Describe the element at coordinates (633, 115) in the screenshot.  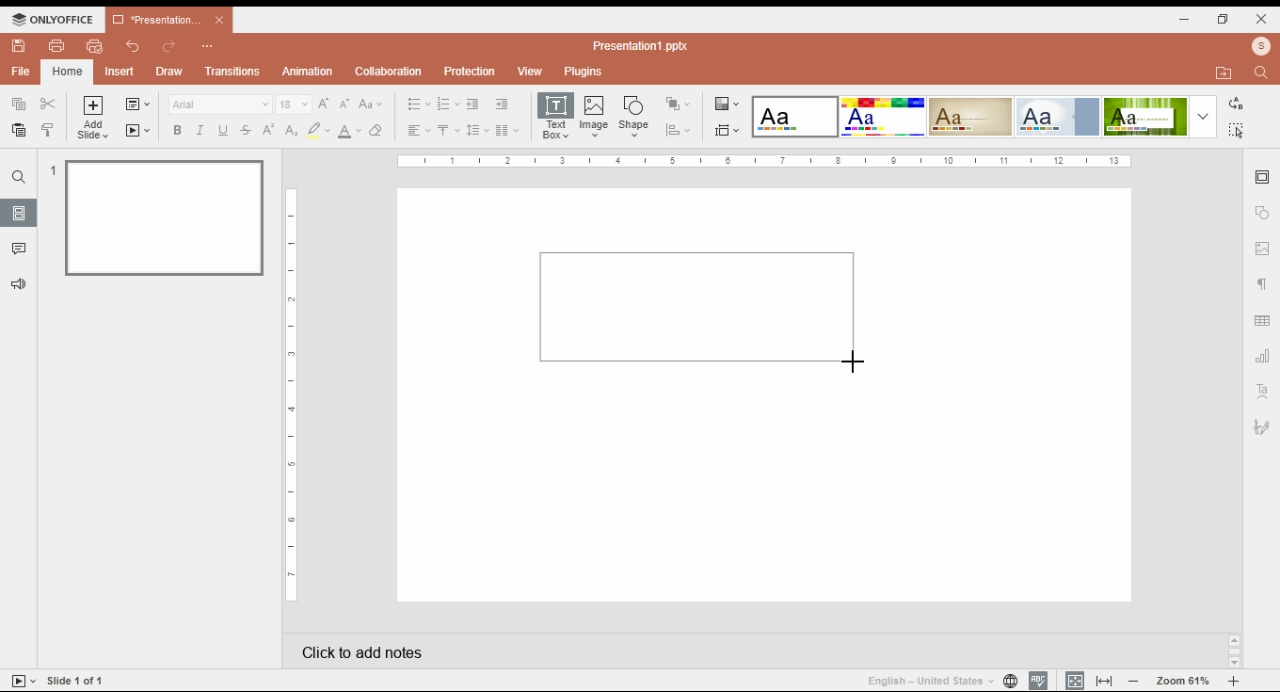
I see `insert shape` at that location.